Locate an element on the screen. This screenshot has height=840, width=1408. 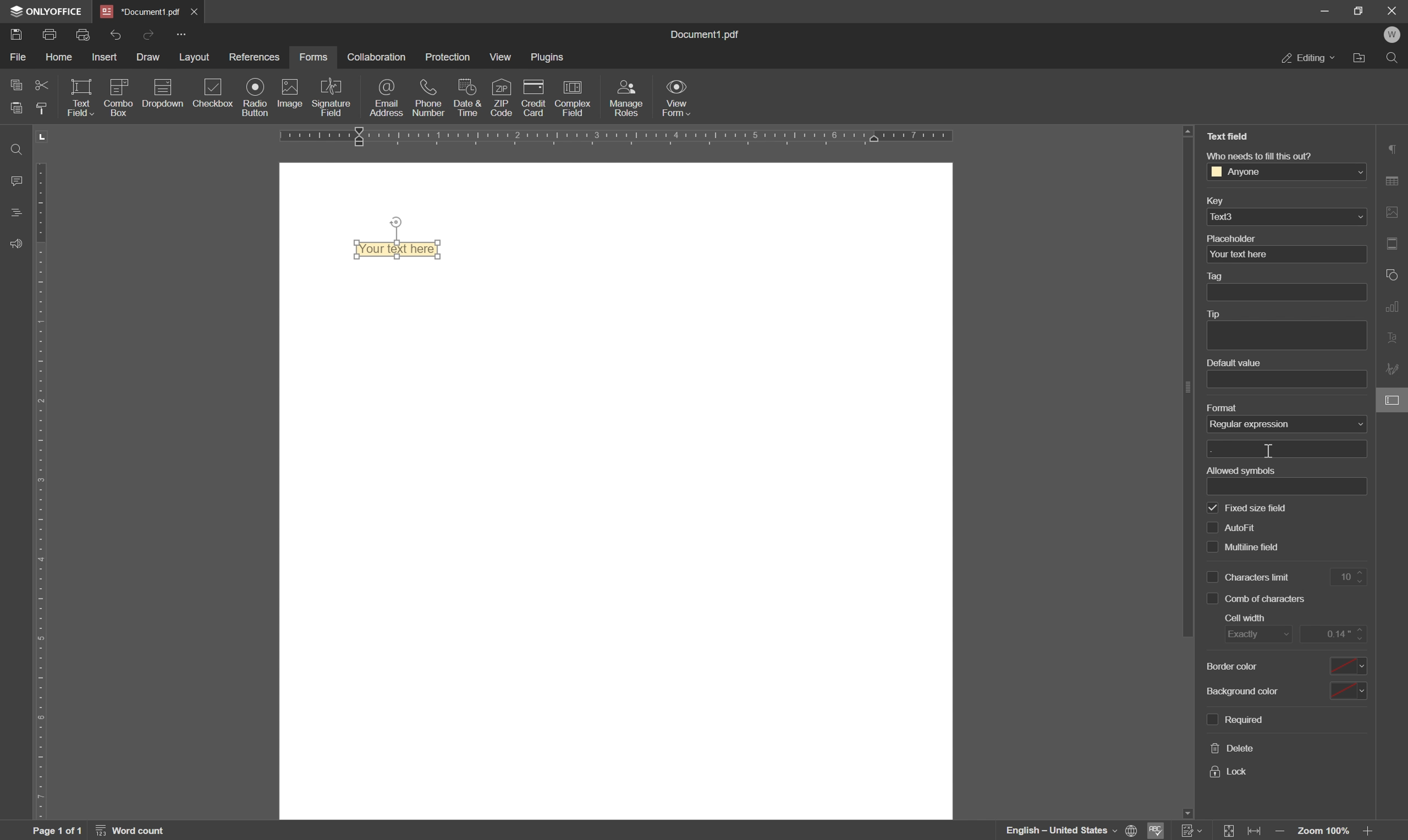
scroll bar is located at coordinates (1183, 392).